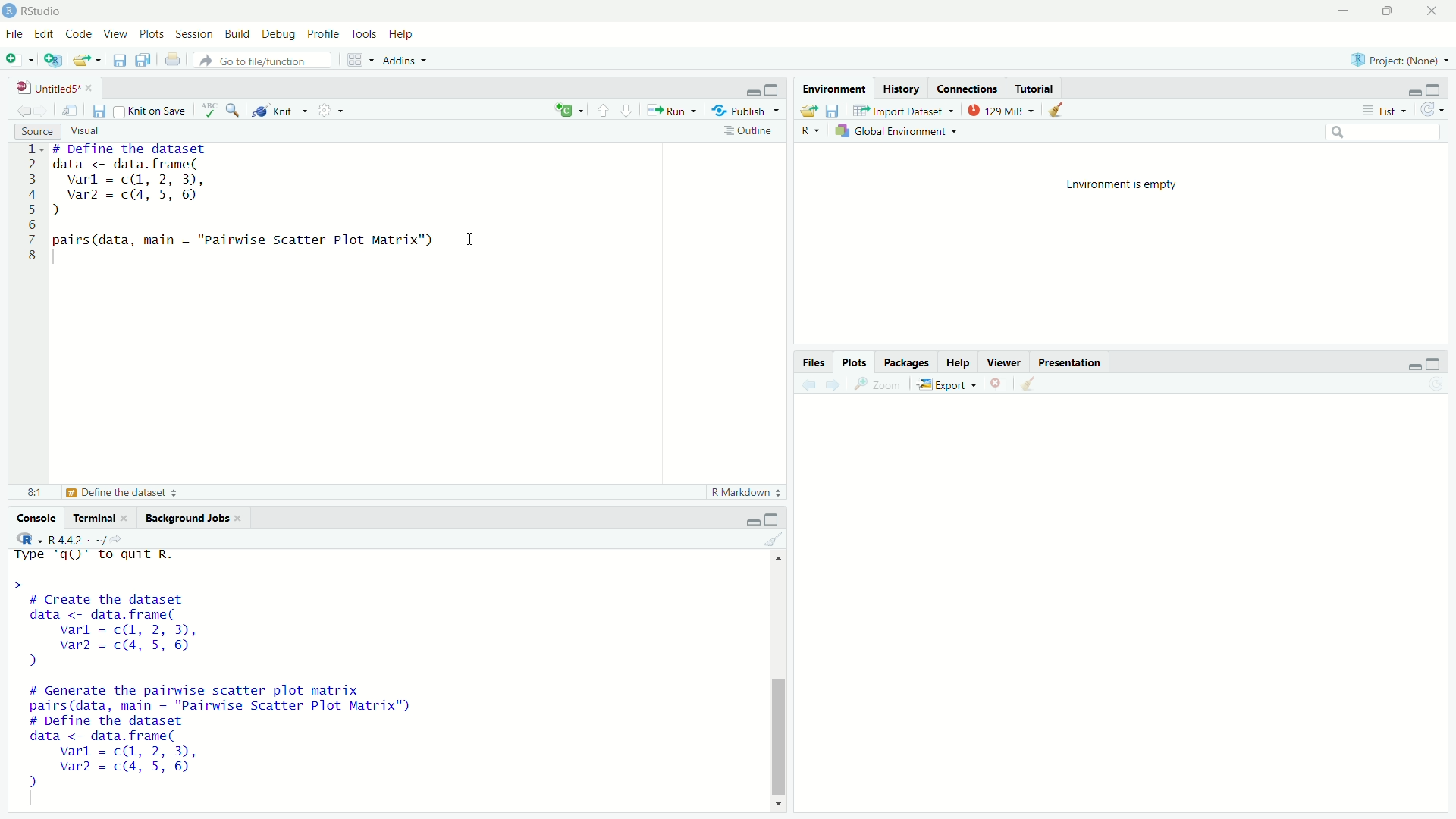 The image size is (1456, 819). Describe the element at coordinates (239, 34) in the screenshot. I see `Build` at that location.